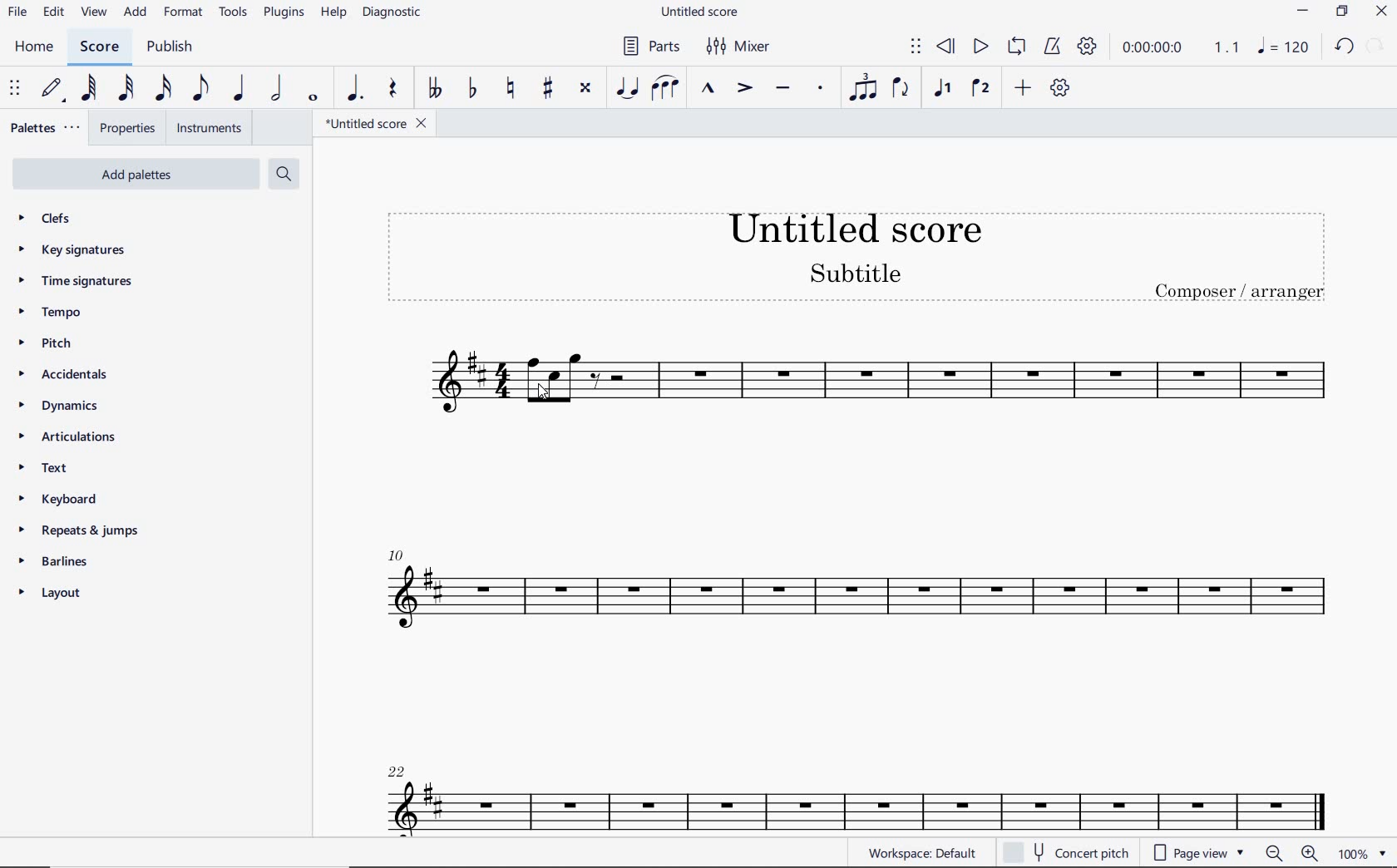  I want to click on CONCERT PITCH, so click(1065, 854).